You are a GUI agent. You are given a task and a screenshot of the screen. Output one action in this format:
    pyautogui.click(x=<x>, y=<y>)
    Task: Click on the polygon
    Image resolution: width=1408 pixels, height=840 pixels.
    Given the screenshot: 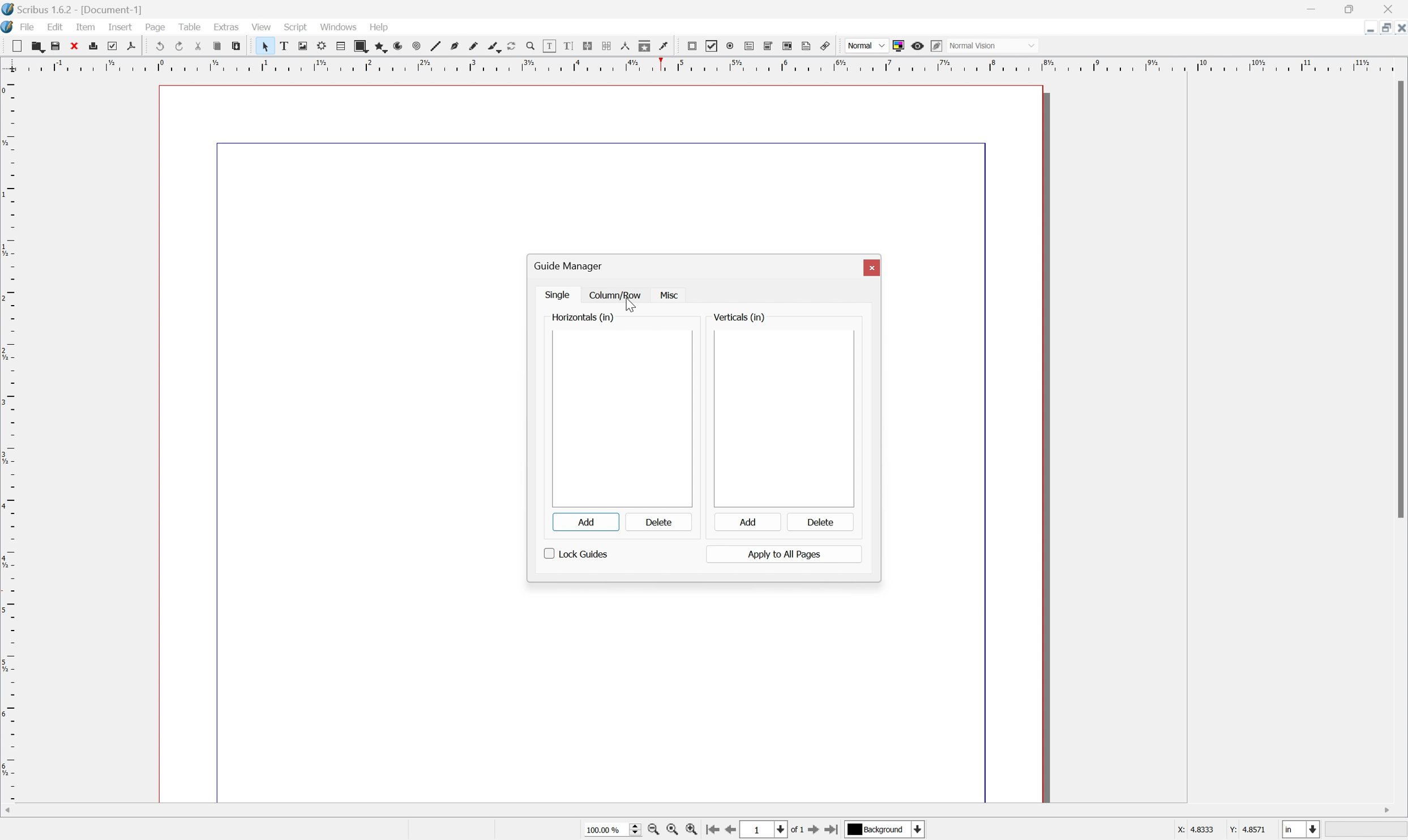 What is the action you would take?
    pyautogui.click(x=380, y=48)
    